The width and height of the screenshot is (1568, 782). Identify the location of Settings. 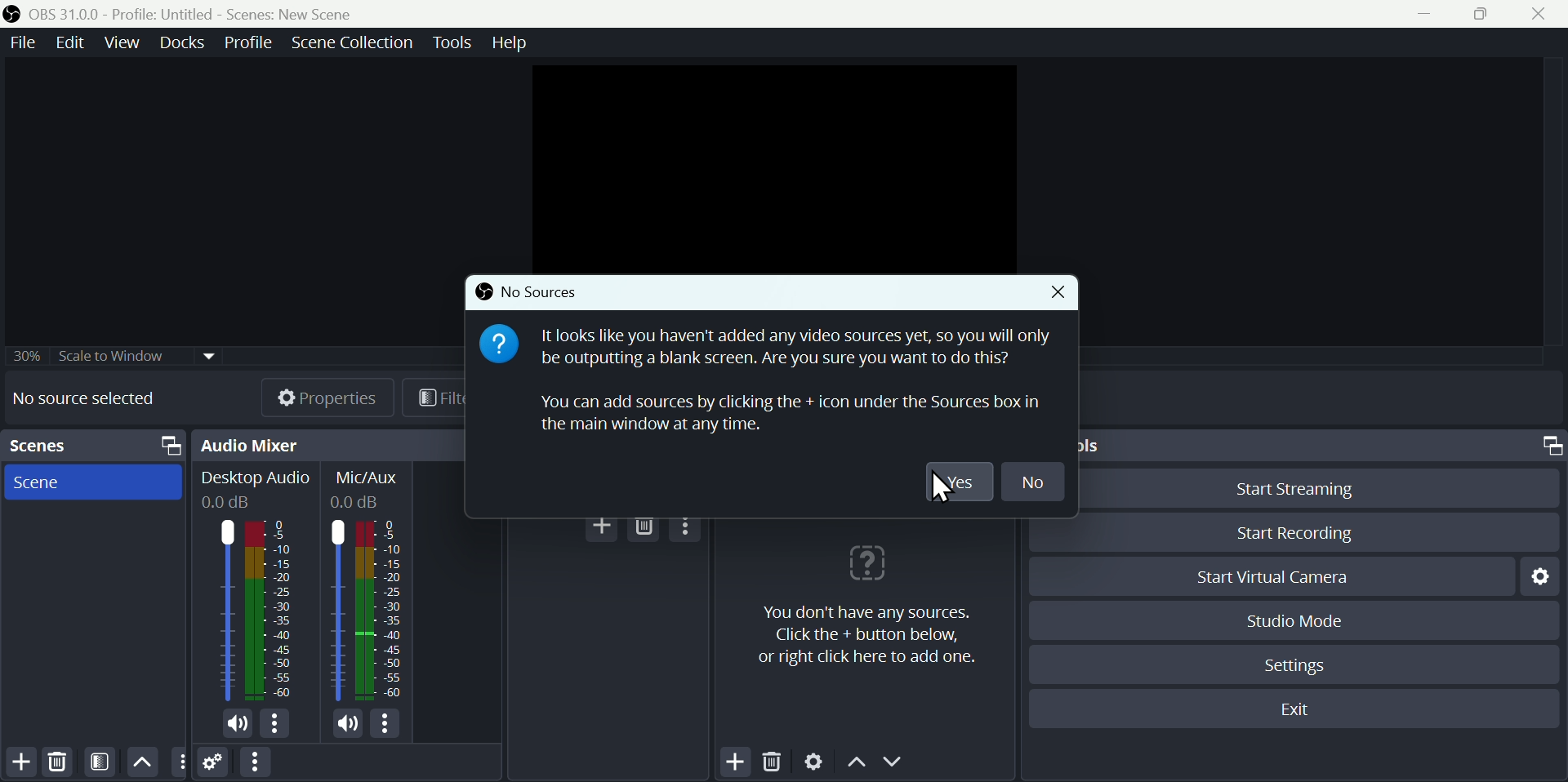
(215, 765).